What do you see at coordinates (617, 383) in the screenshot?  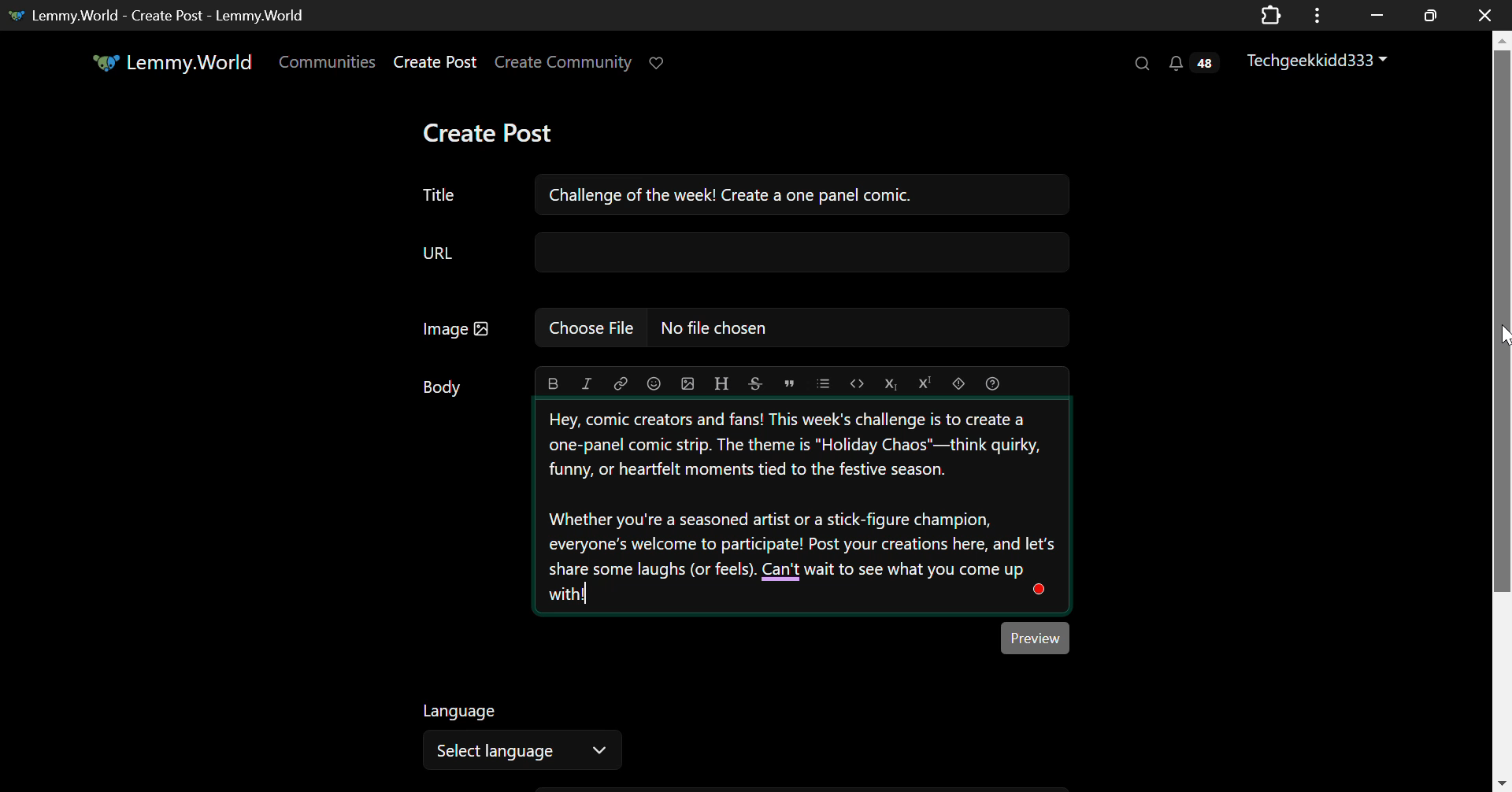 I see `link` at bounding box center [617, 383].